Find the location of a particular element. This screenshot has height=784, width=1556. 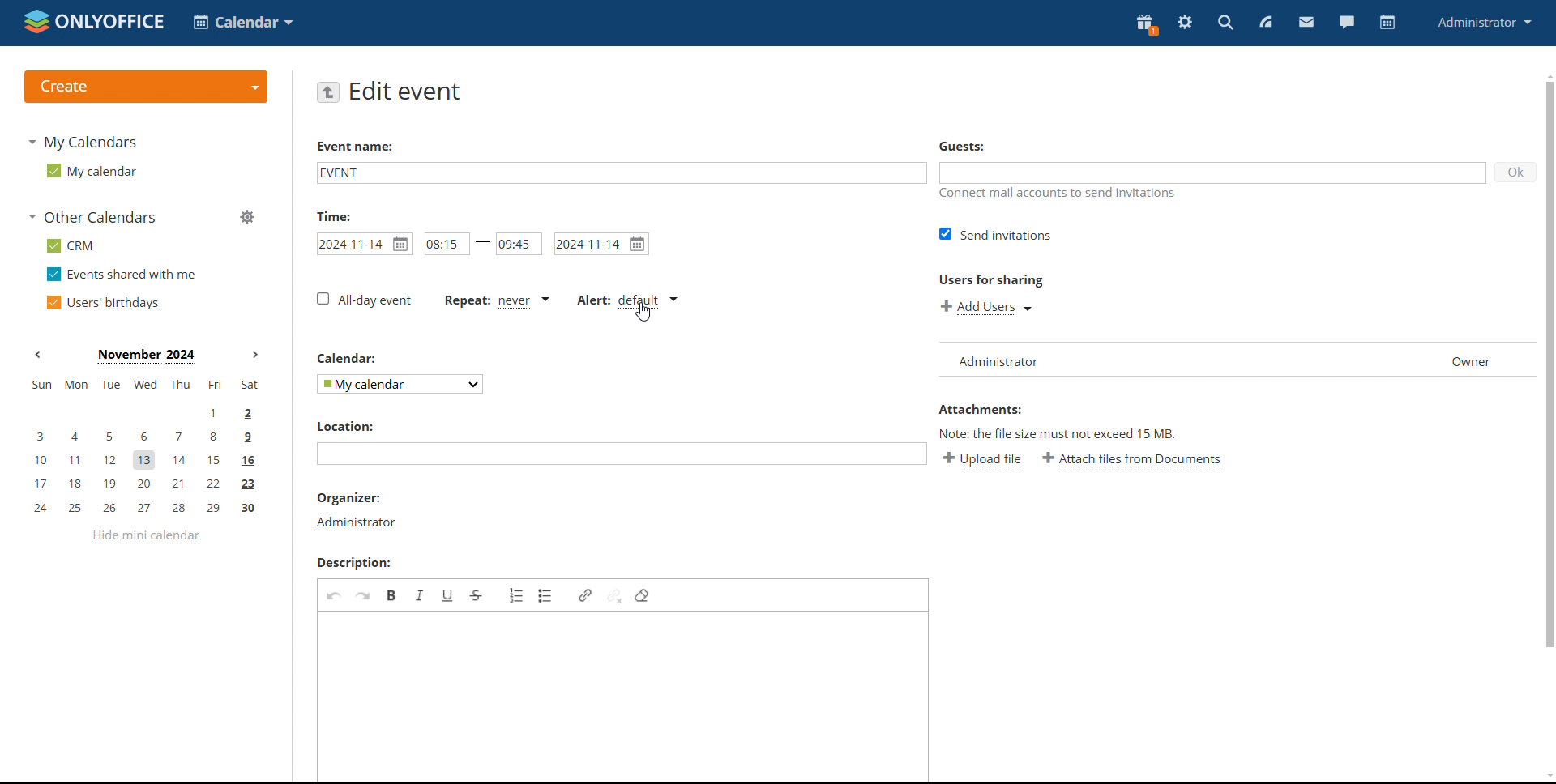

location label is located at coordinates (348, 428).